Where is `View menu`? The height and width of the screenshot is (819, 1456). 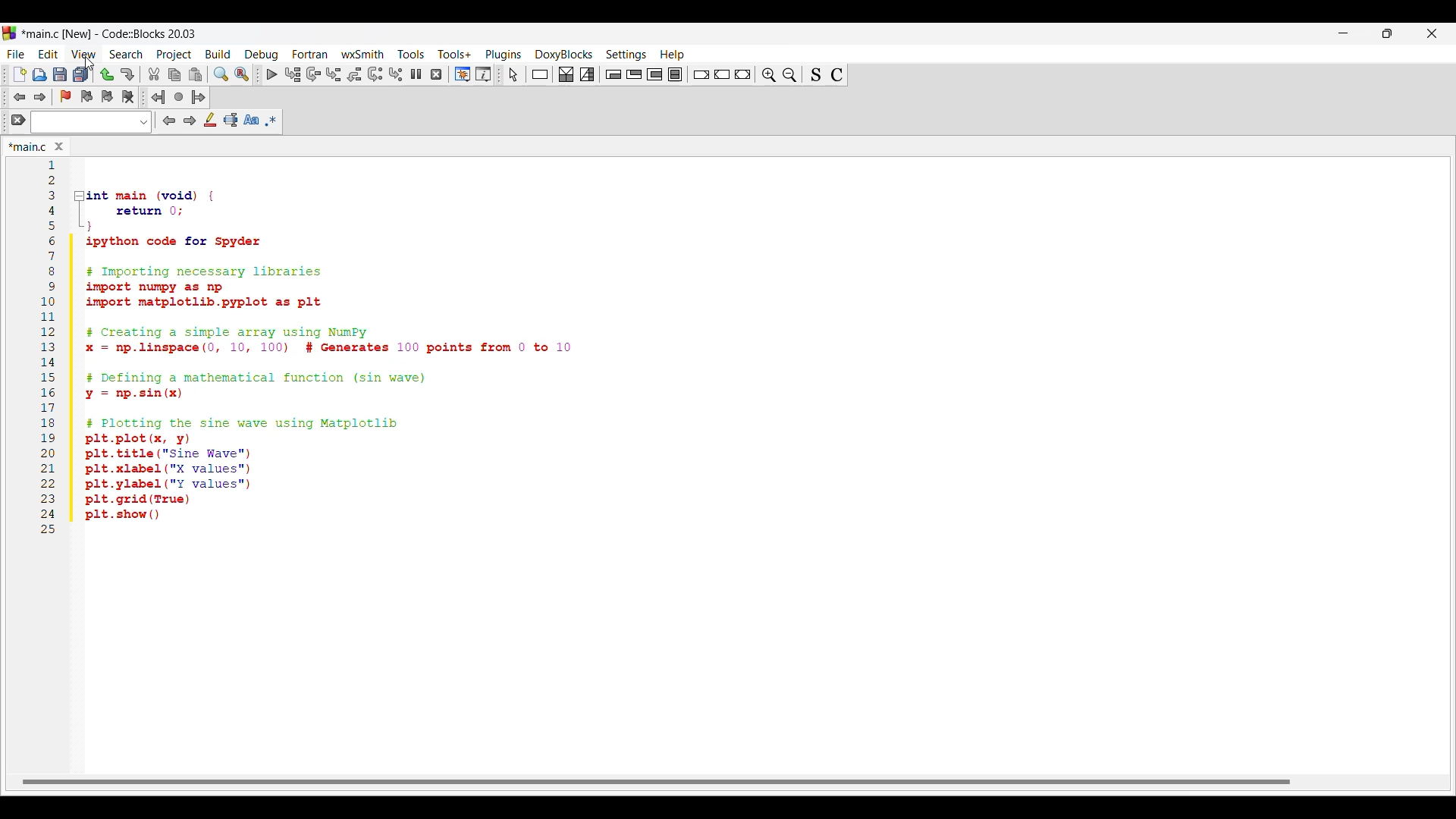
View menu is located at coordinates (84, 54).